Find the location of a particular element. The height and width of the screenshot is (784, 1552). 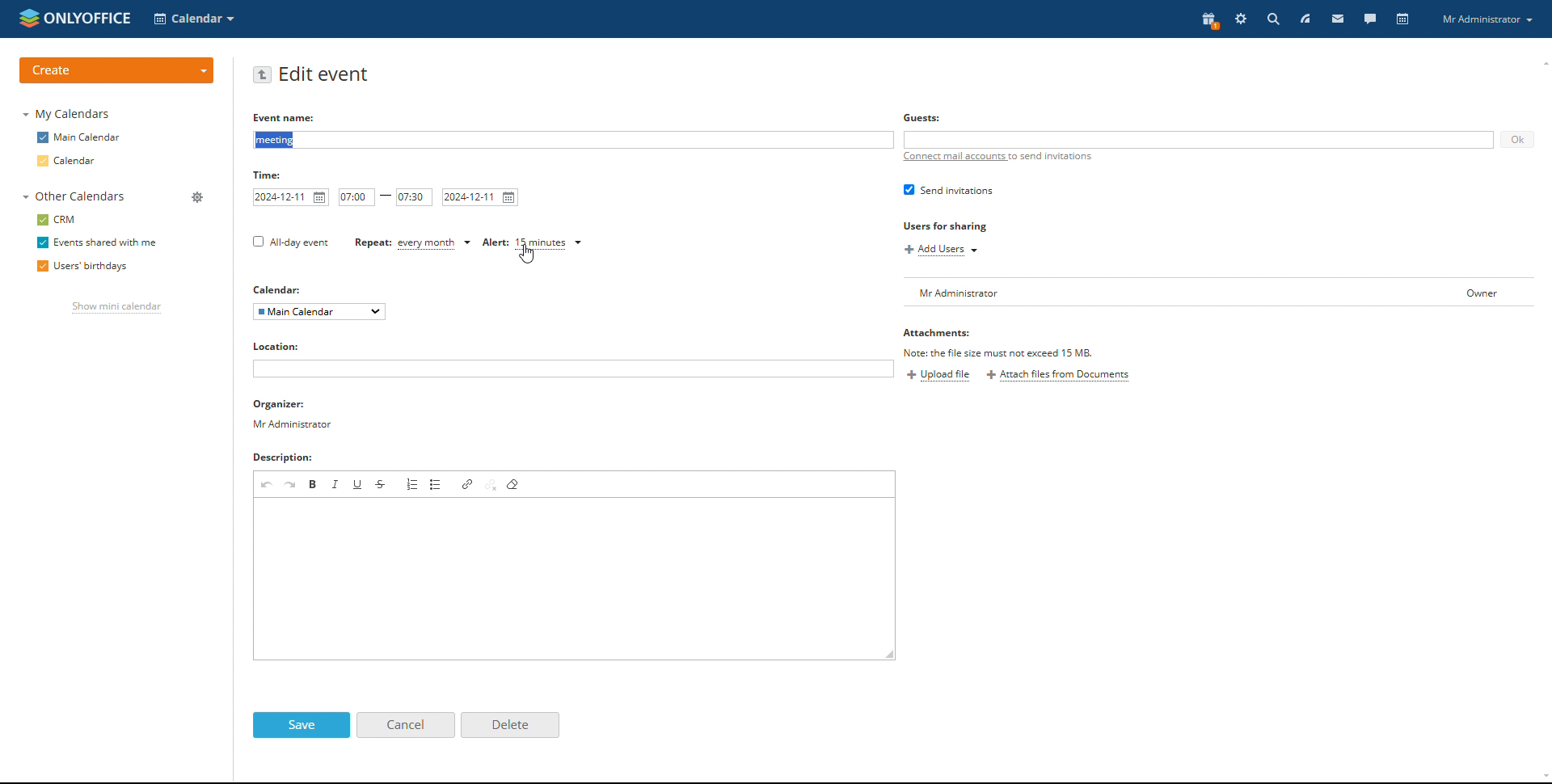

manage is located at coordinates (198, 196).